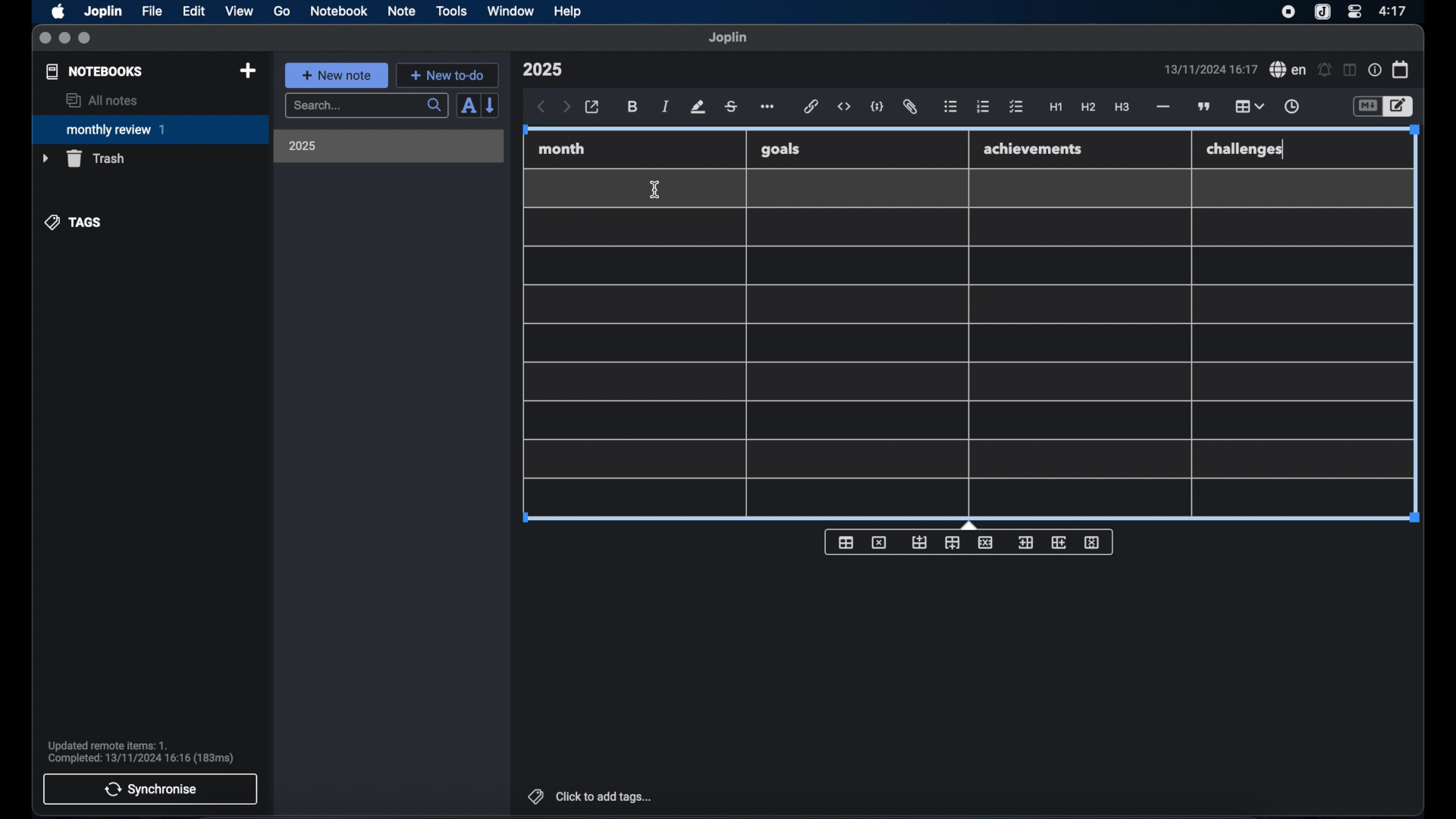 The height and width of the screenshot is (819, 1456). Describe the element at coordinates (910, 107) in the screenshot. I see `attach file` at that location.